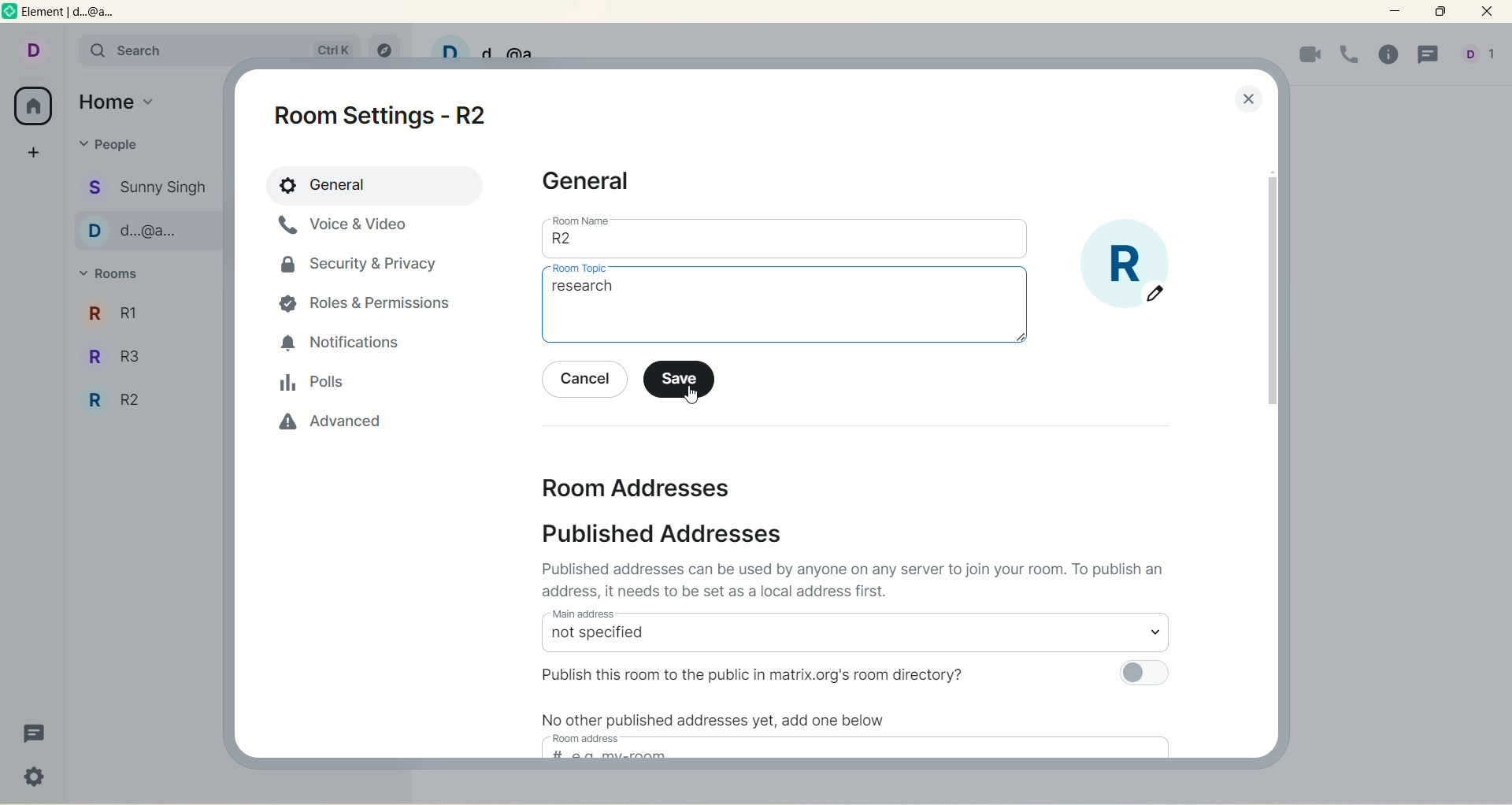 This screenshot has width=1512, height=805. Describe the element at coordinates (81, 14) in the screenshot. I see `element` at that location.